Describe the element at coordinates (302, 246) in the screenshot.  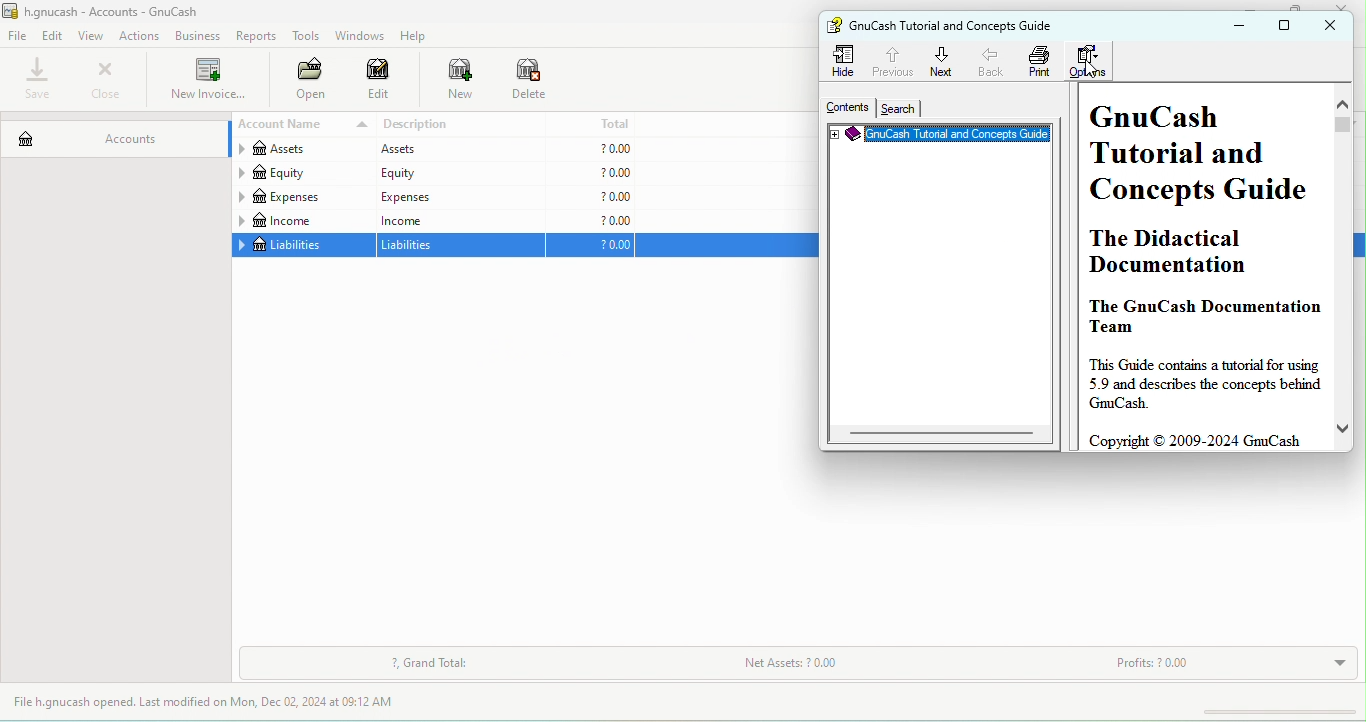
I see `liabilities` at that location.